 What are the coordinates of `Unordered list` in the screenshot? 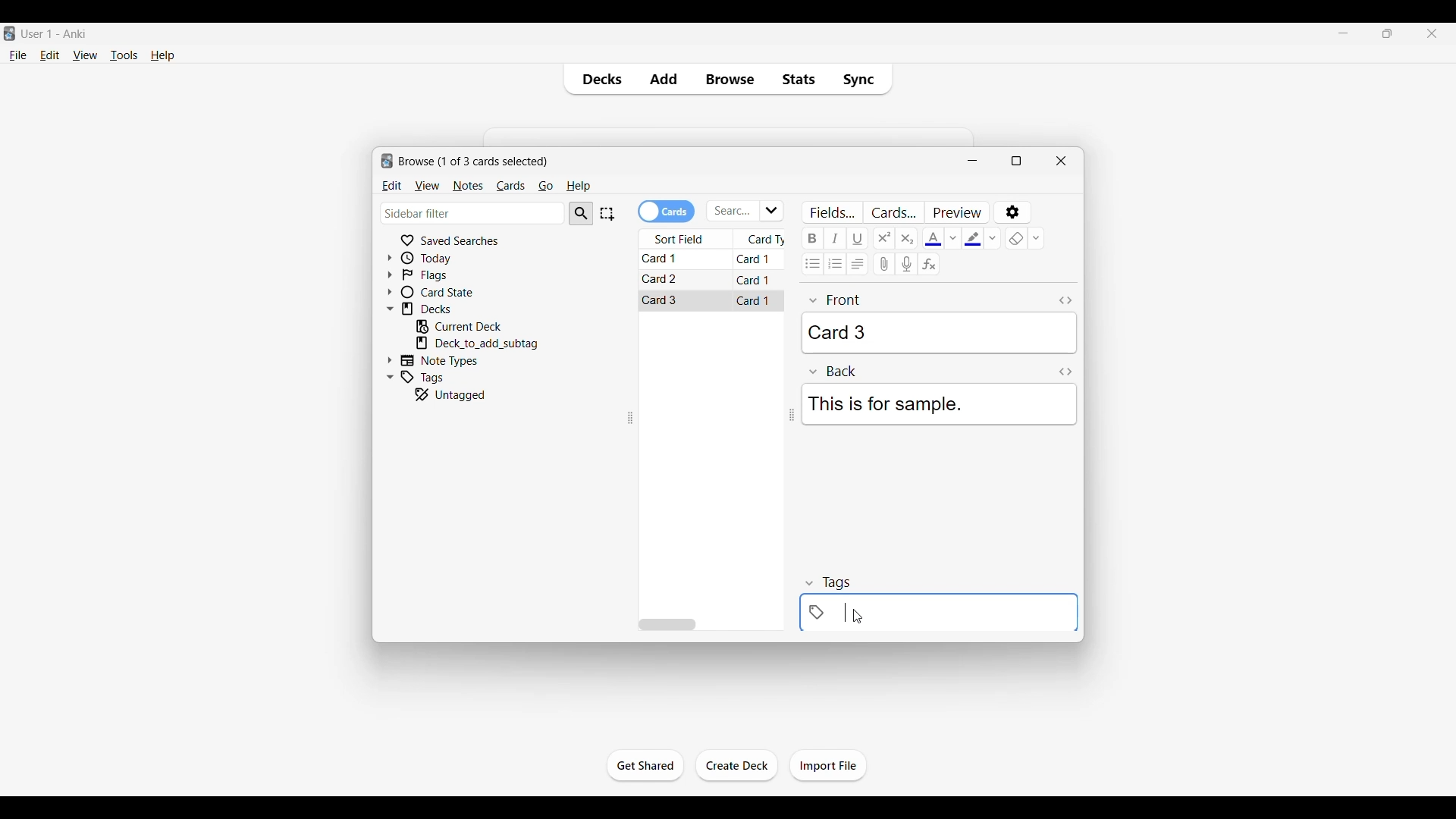 It's located at (812, 264).